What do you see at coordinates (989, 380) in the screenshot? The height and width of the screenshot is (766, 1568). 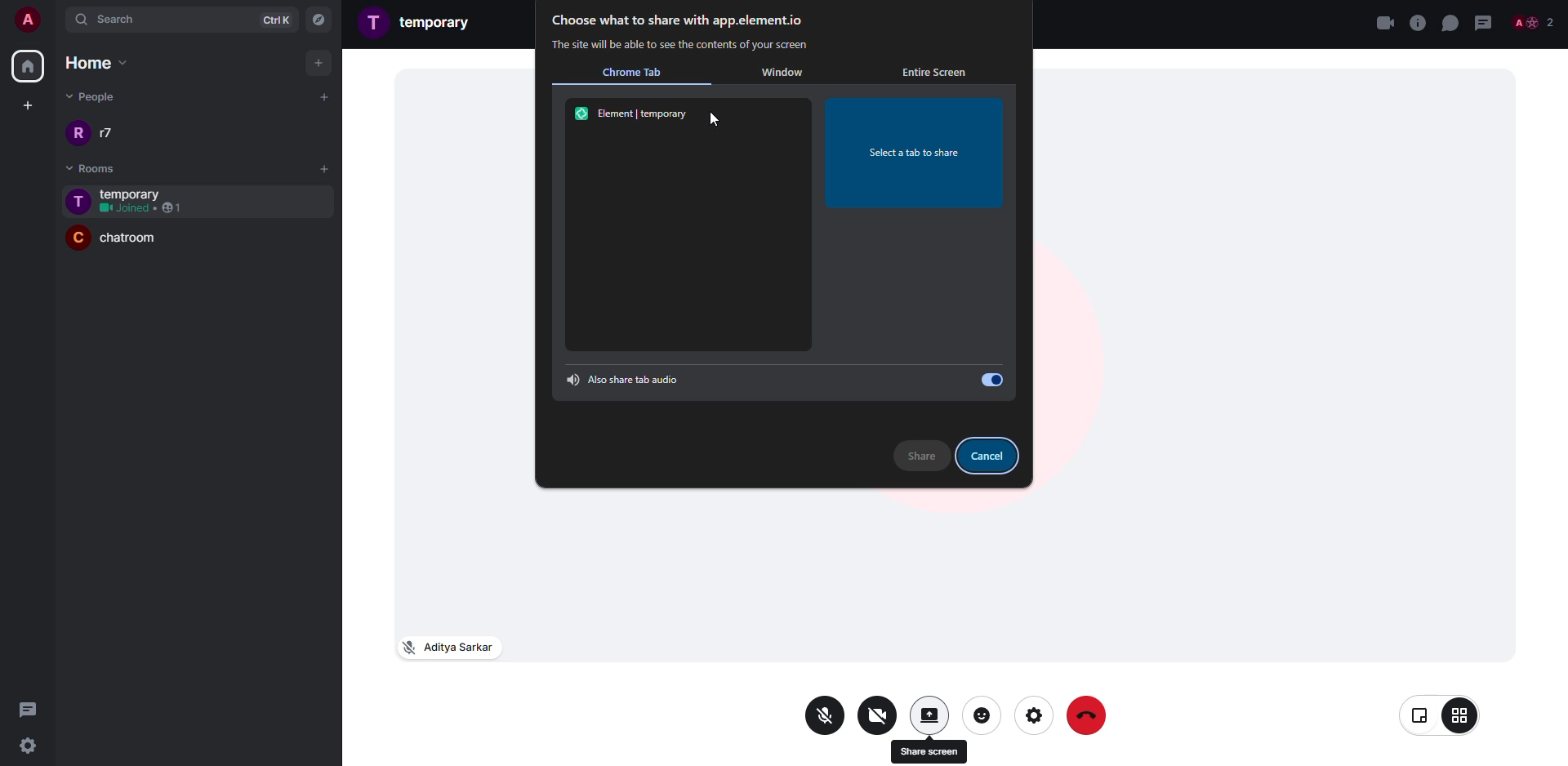 I see `enabled` at bounding box center [989, 380].